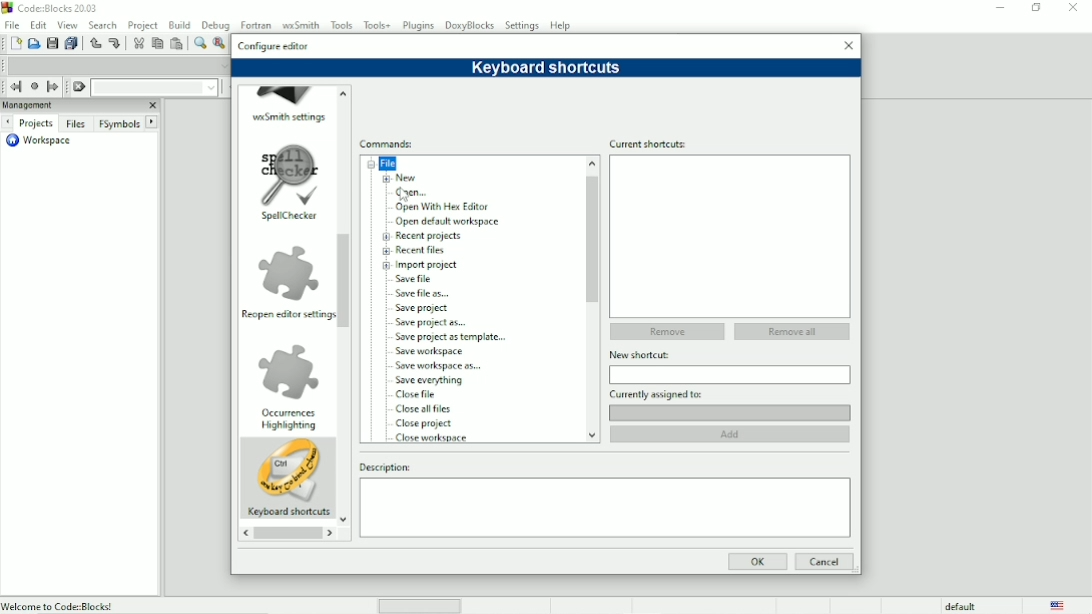  Describe the element at coordinates (156, 43) in the screenshot. I see `Copy` at that location.